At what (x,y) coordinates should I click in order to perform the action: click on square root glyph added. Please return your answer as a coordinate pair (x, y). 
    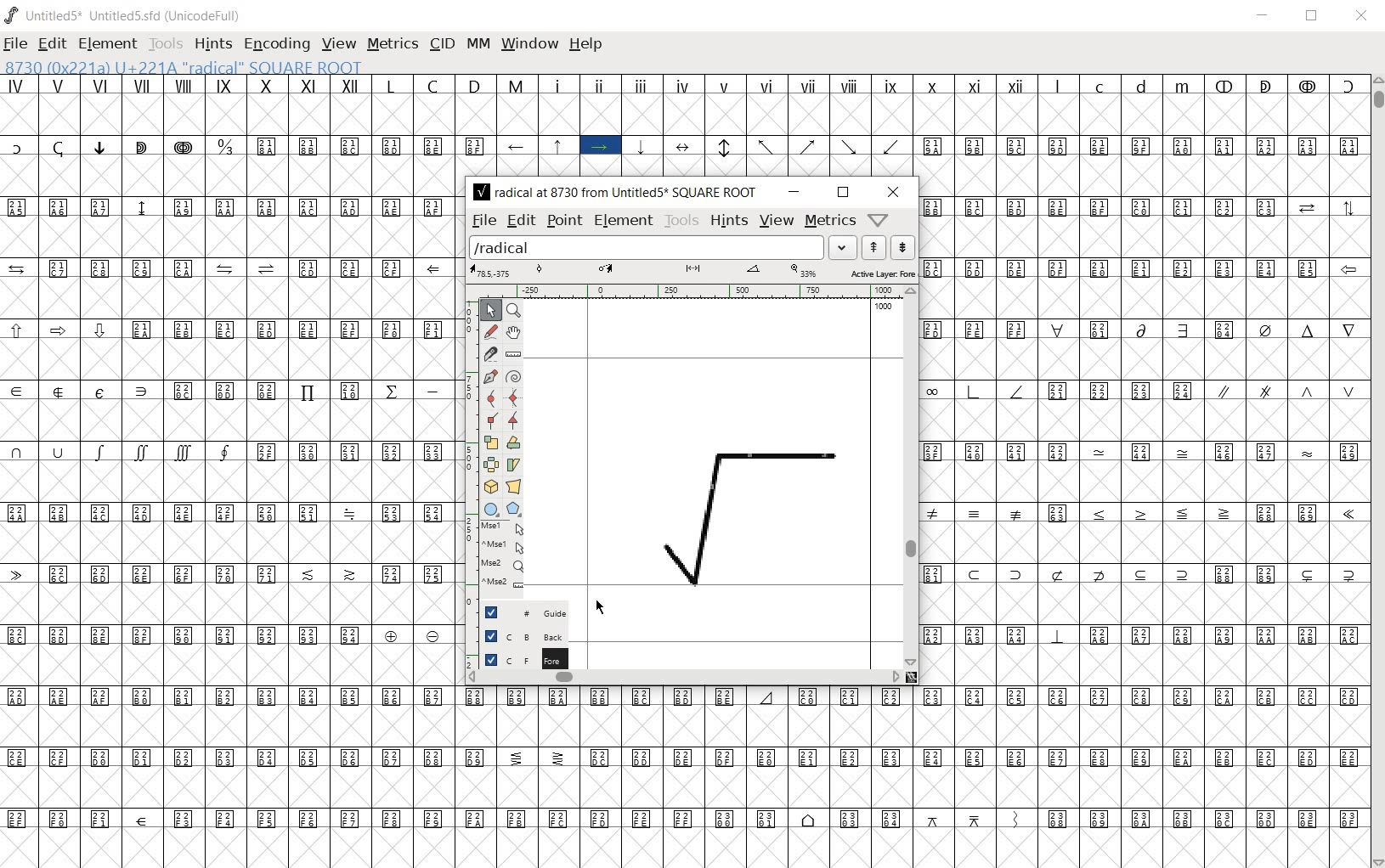
    Looking at the image, I should click on (752, 510).